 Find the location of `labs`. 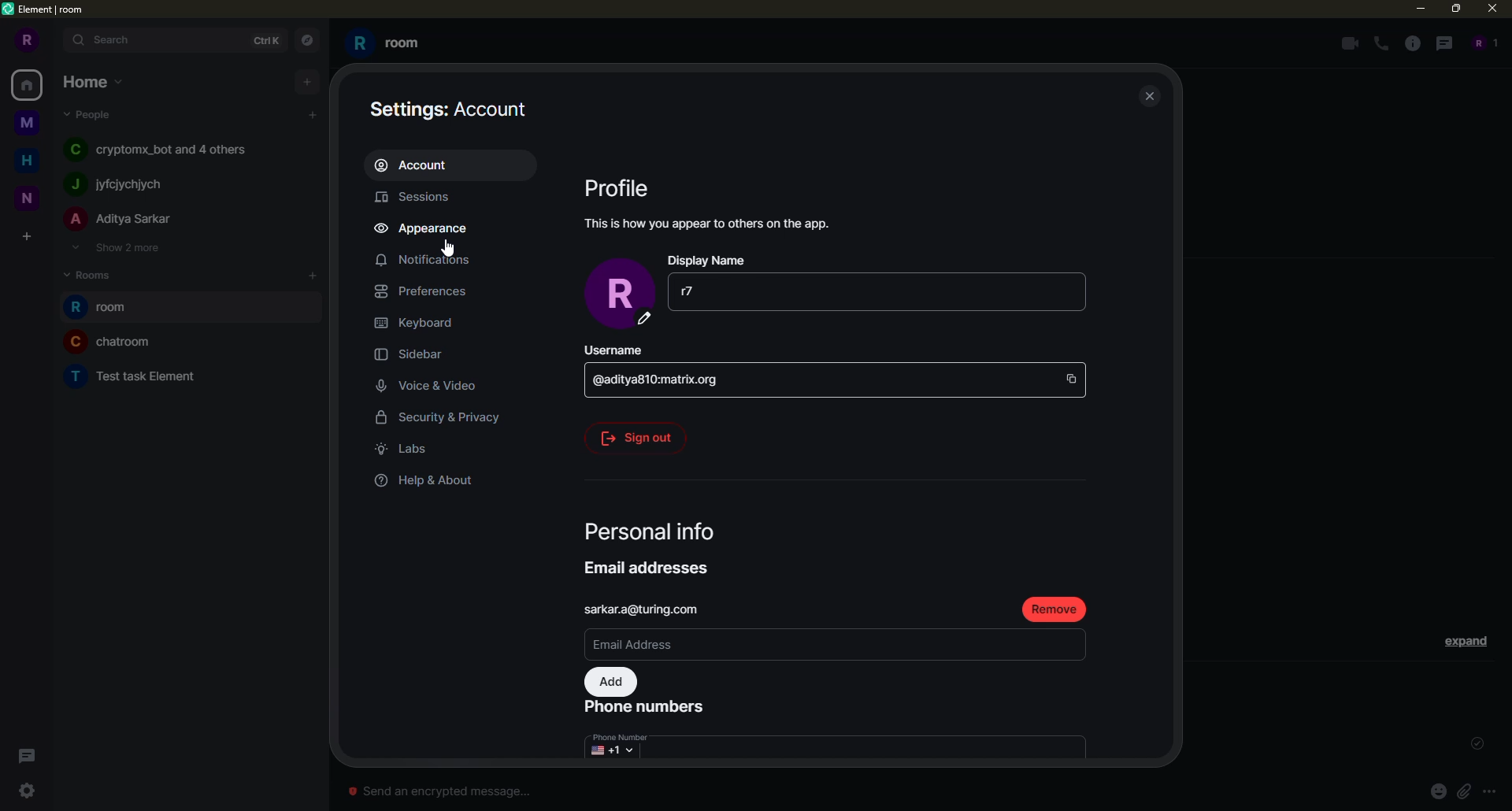

labs is located at coordinates (406, 449).